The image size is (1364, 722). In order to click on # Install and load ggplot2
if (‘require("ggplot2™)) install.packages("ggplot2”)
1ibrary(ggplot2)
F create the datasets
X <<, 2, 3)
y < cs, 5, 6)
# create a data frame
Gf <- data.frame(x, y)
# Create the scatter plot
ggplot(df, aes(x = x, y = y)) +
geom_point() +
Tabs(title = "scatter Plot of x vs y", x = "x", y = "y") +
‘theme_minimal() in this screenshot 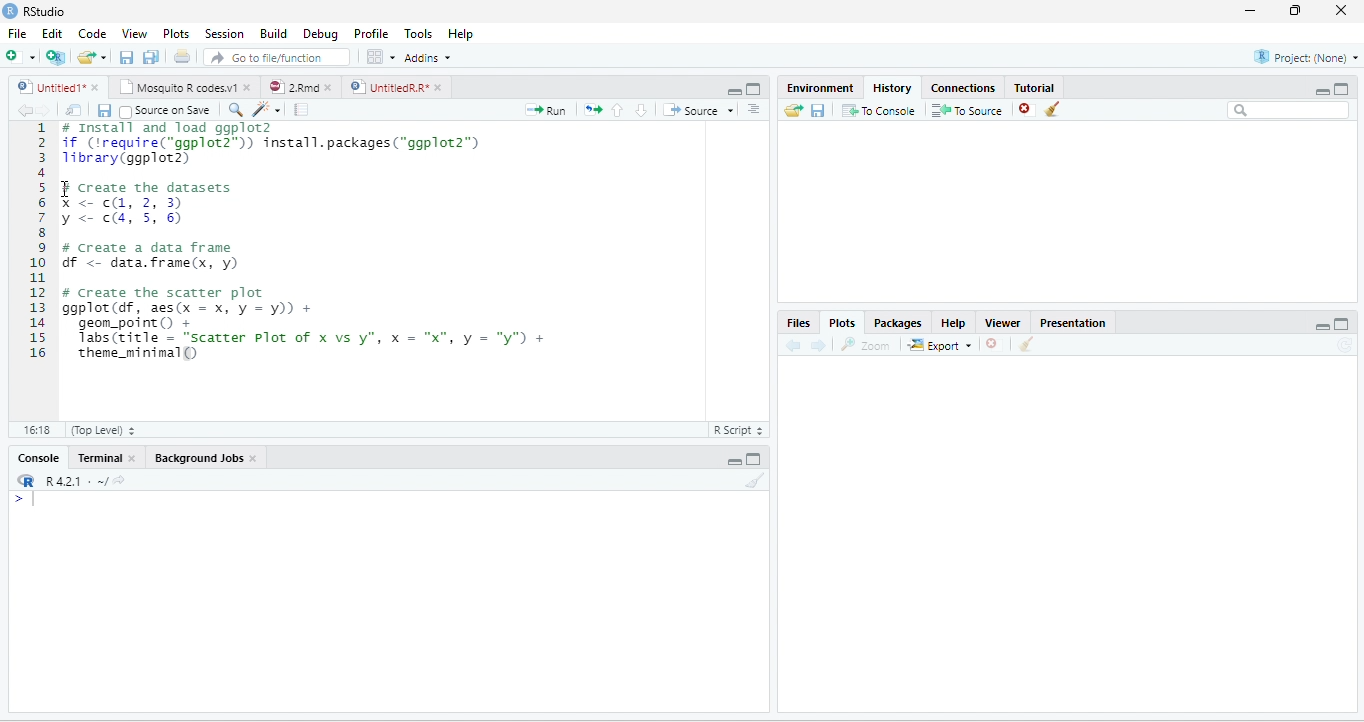, I will do `click(305, 242)`.